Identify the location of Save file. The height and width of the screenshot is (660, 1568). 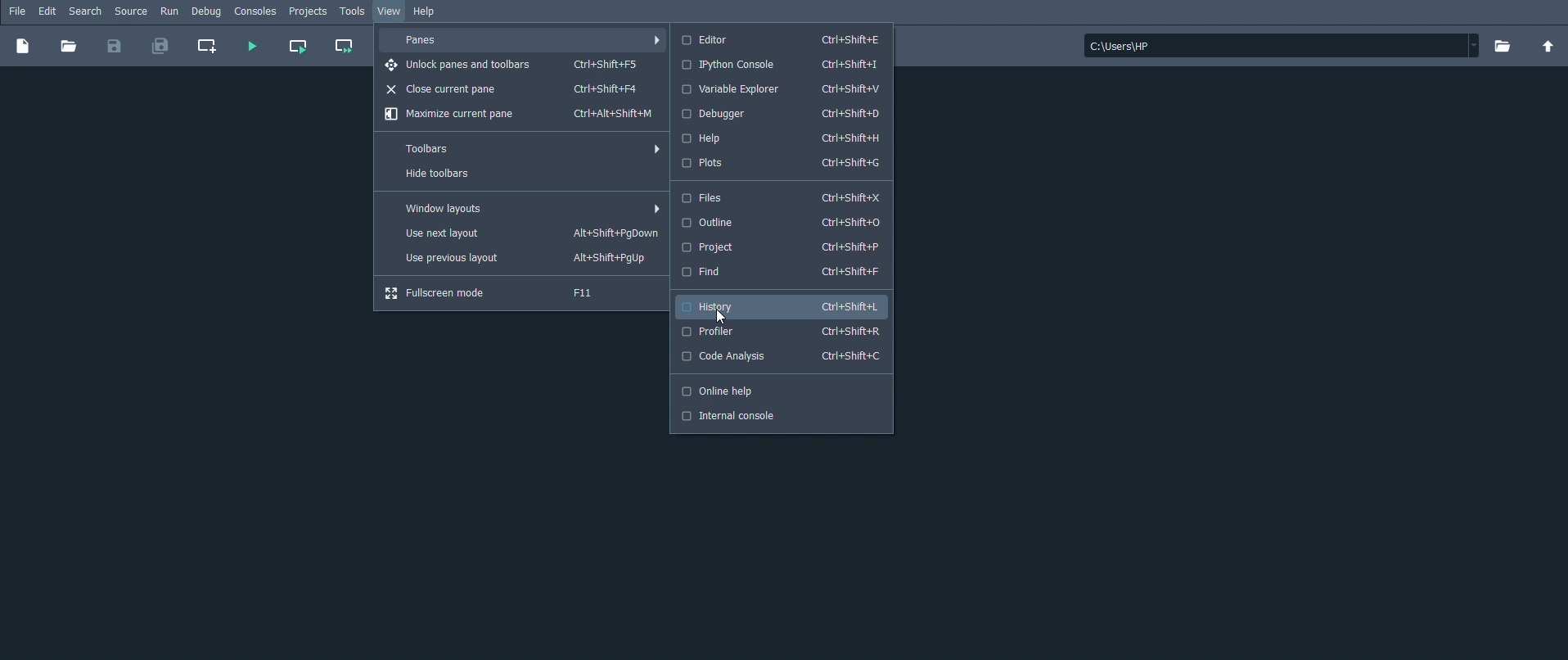
(113, 47).